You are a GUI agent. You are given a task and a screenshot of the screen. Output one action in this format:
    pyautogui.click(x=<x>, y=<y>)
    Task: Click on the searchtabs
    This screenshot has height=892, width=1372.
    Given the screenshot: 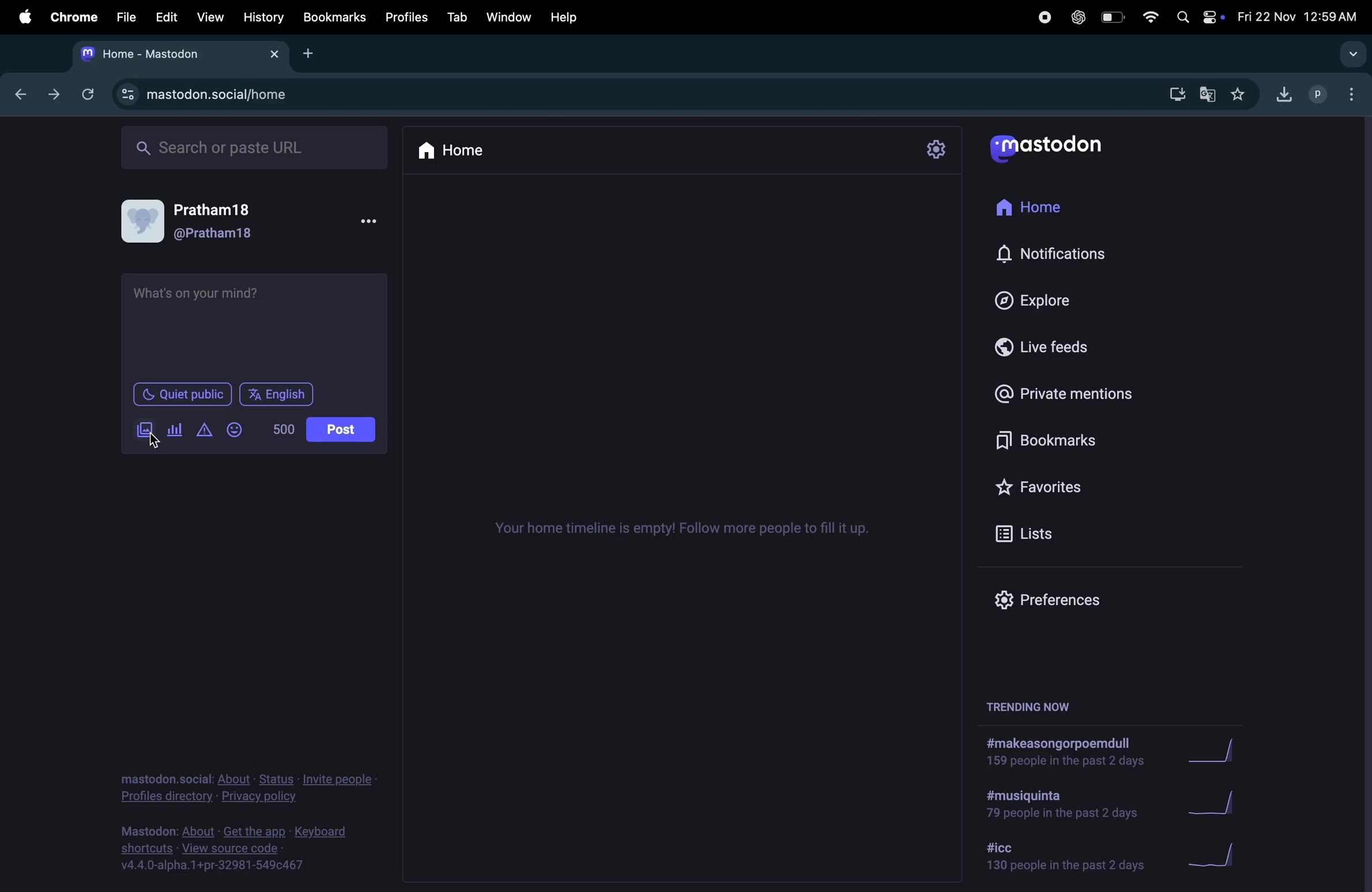 What is the action you would take?
    pyautogui.click(x=1349, y=56)
    